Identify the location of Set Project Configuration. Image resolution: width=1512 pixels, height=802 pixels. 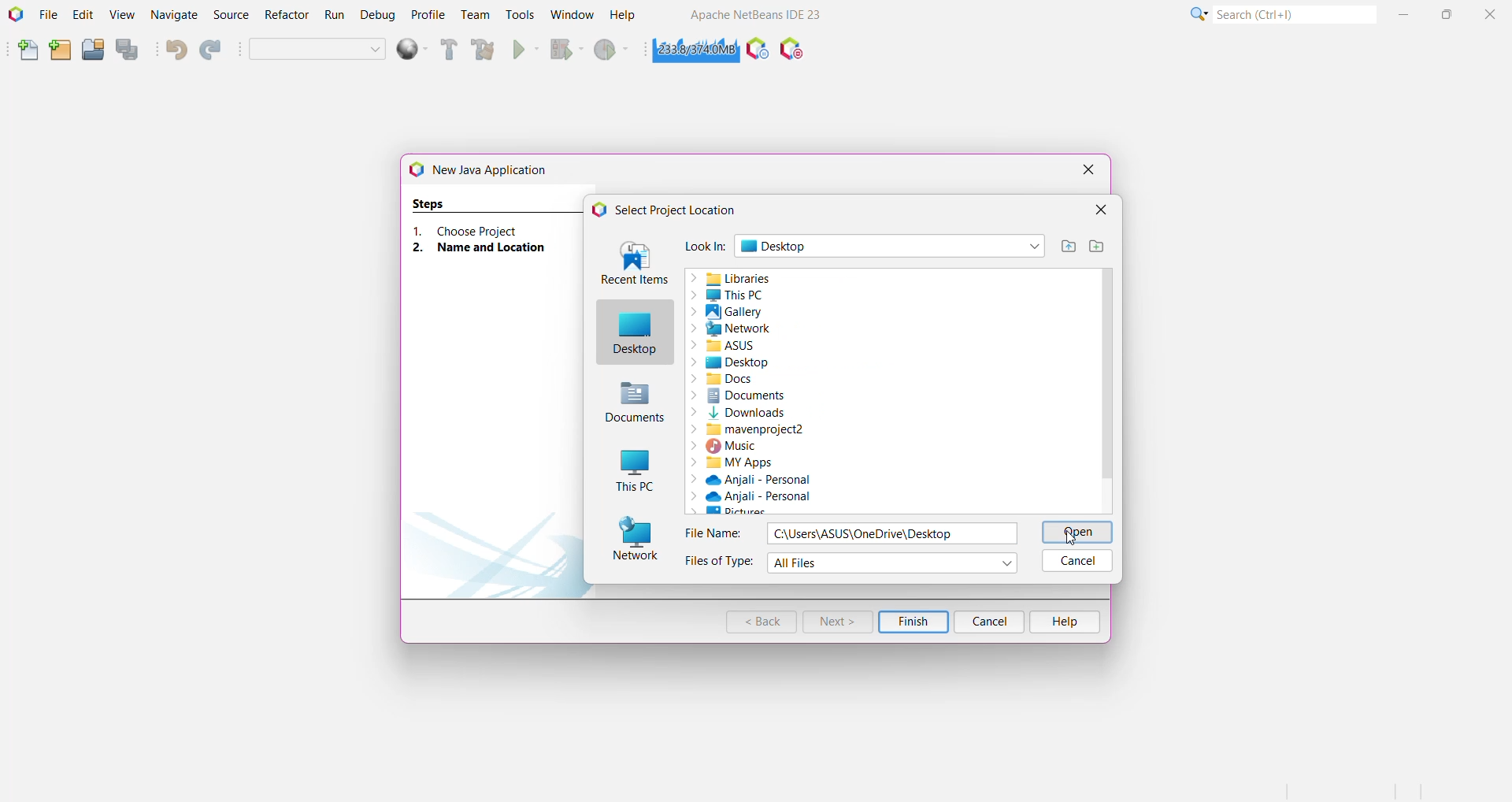
(317, 49).